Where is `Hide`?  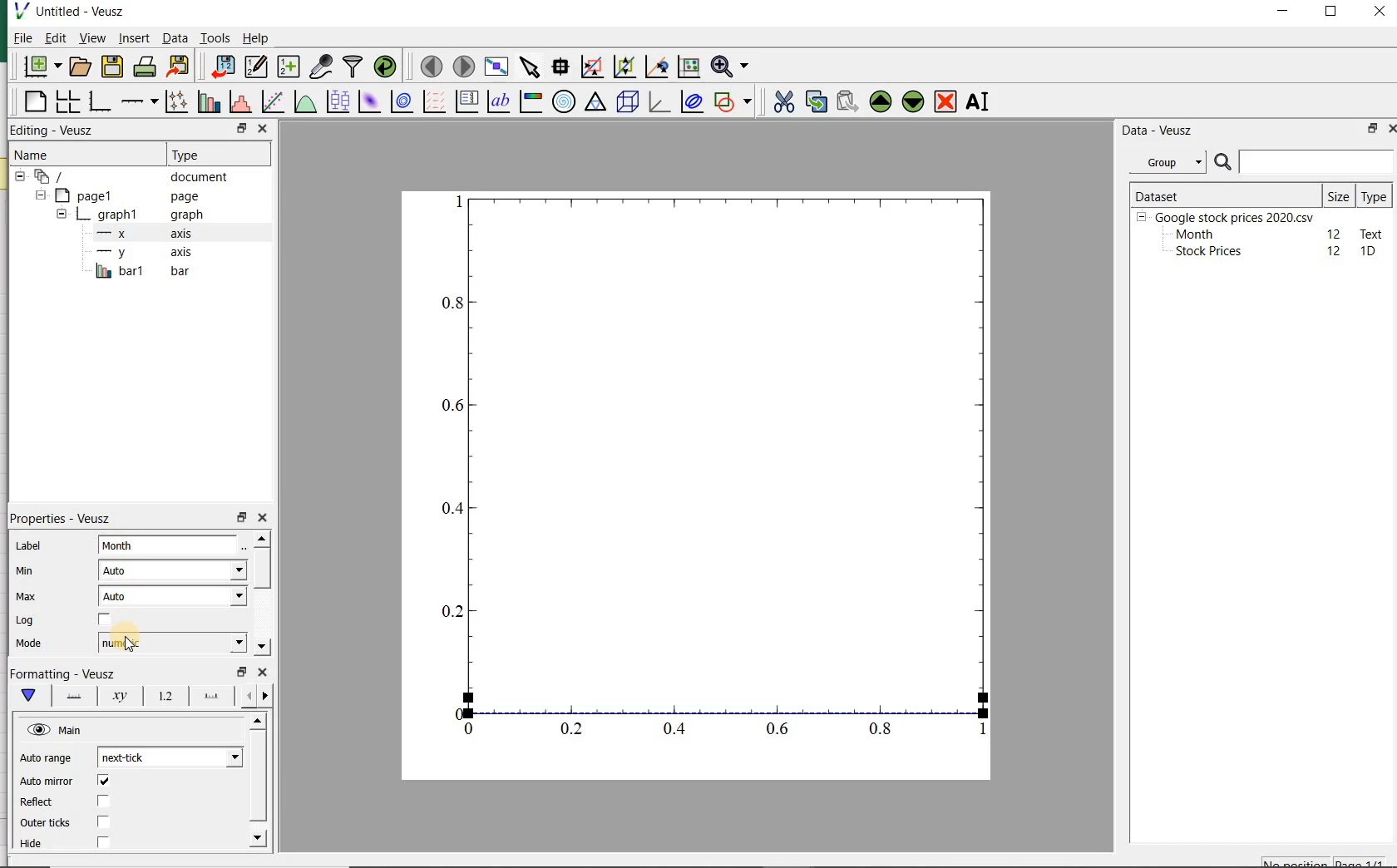 Hide is located at coordinates (35, 847).